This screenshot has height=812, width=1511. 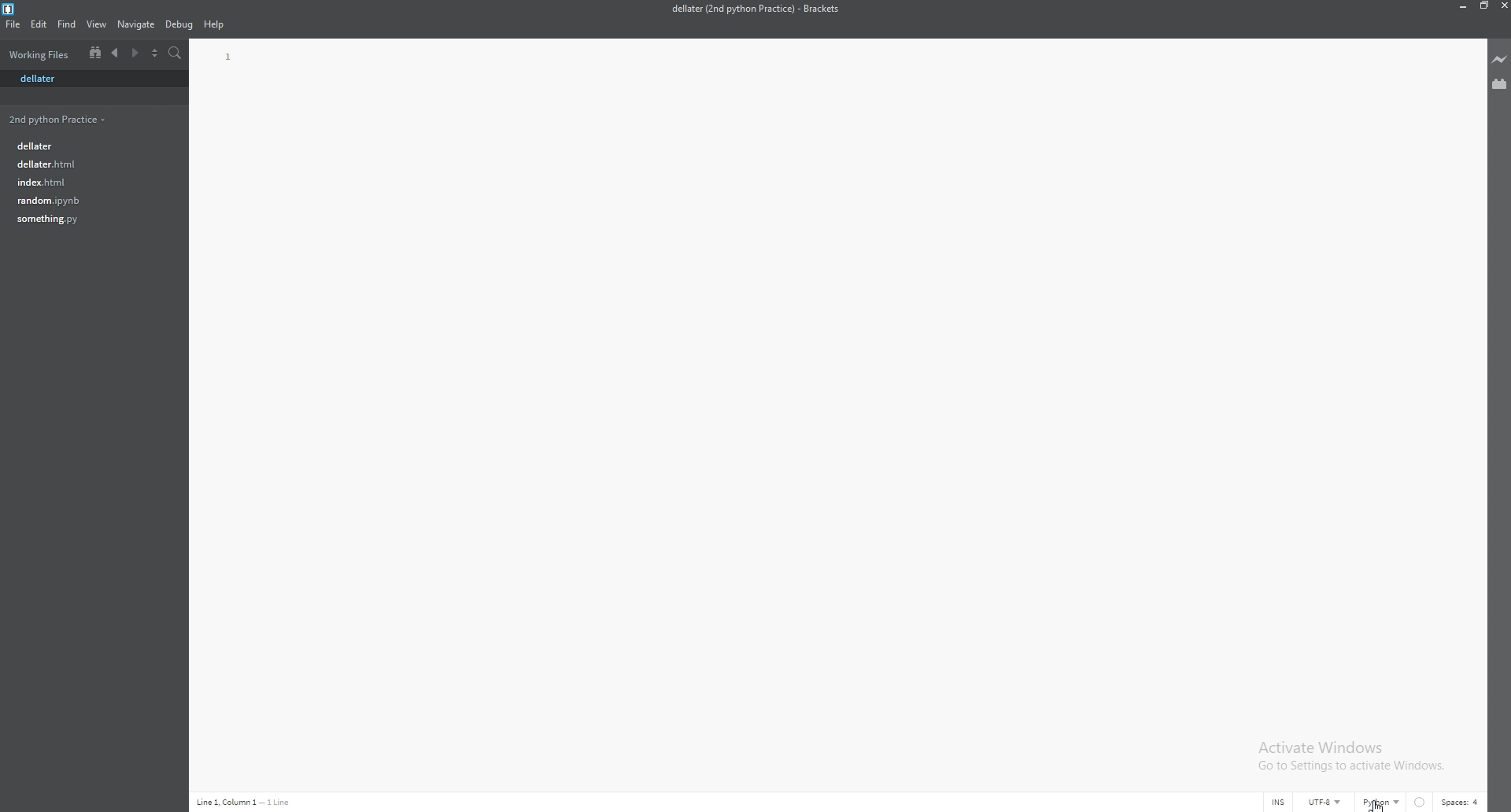 I want to click on cursor mode, so click(x=1276, y=803).